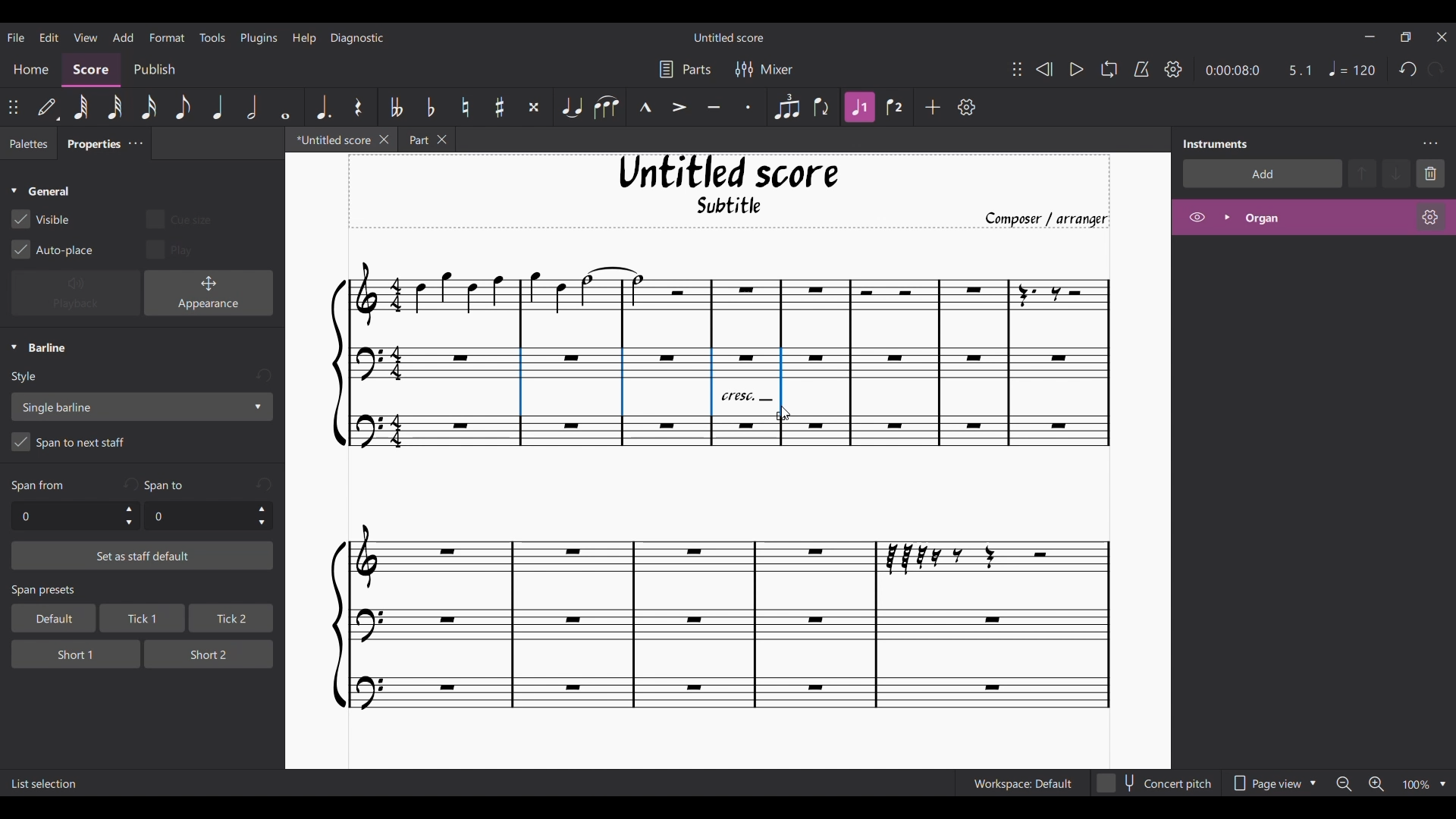 The image size is (1456, 819). I want to click on Close/Undock Properties tab, so click(135, 143).